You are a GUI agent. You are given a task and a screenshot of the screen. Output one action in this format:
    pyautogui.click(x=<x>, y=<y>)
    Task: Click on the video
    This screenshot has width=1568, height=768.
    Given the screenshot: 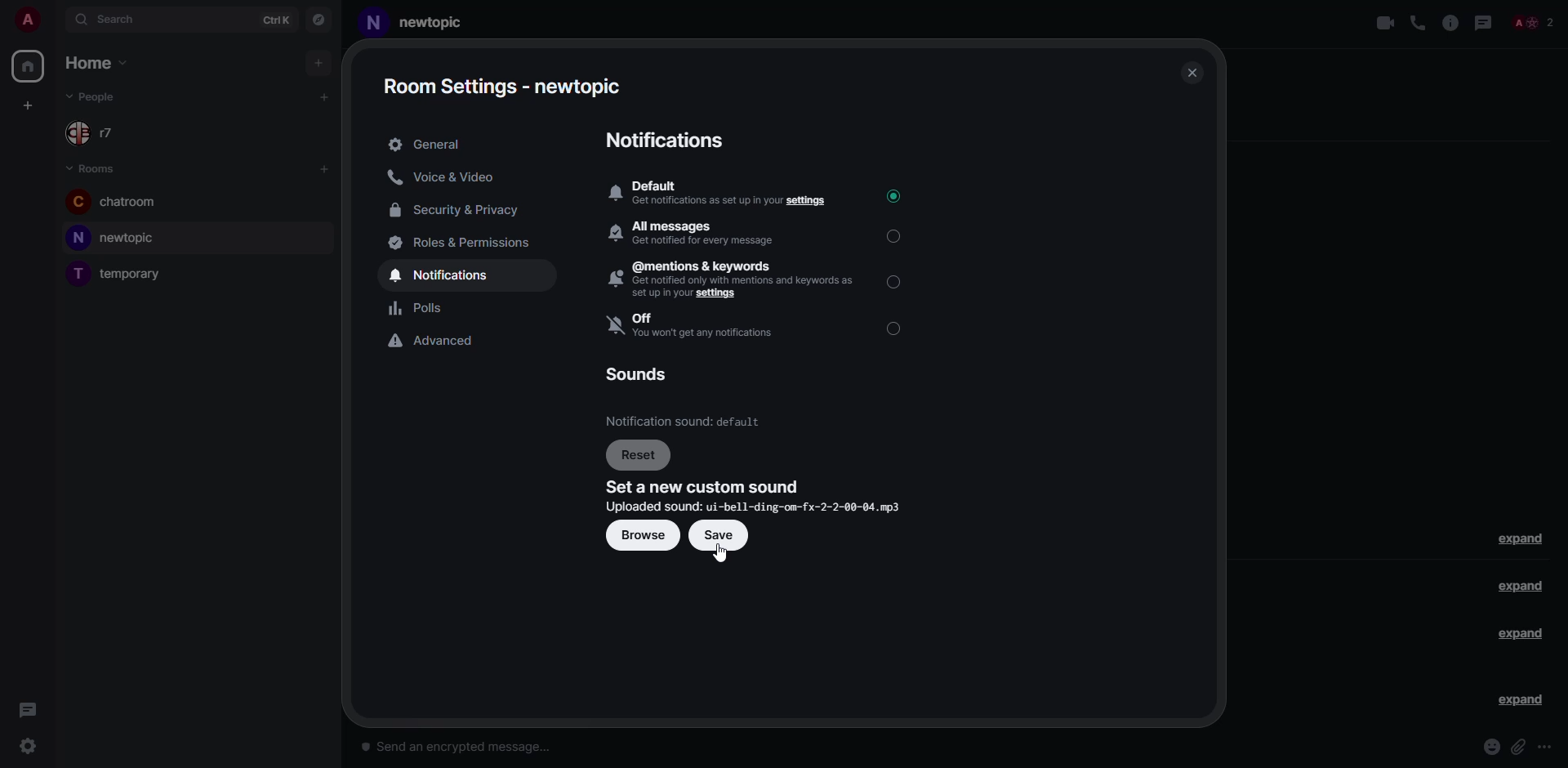 What is the action you would take?
    pyautogui.click(x=1387, y=23)
    